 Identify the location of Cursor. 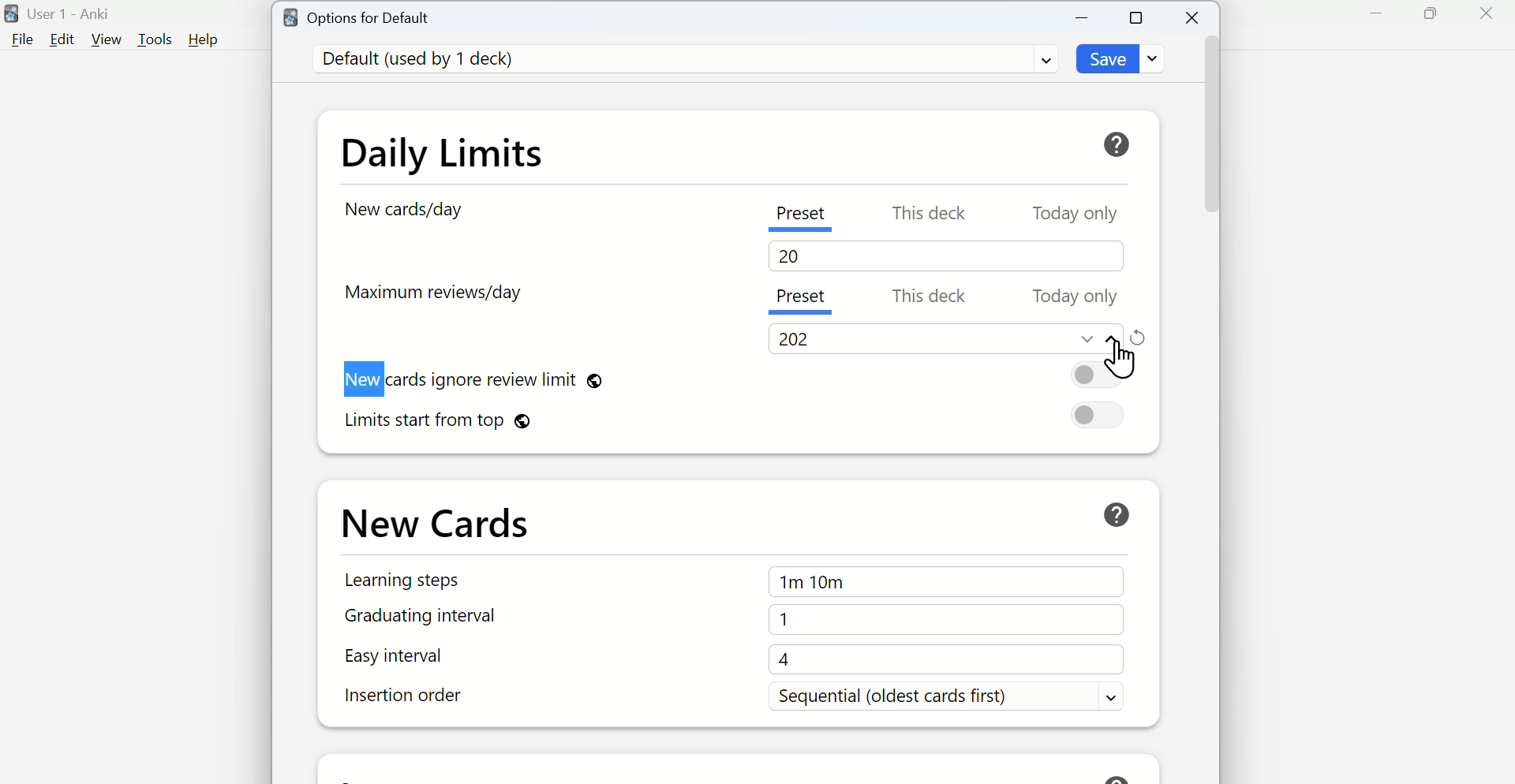
(1120, 360).